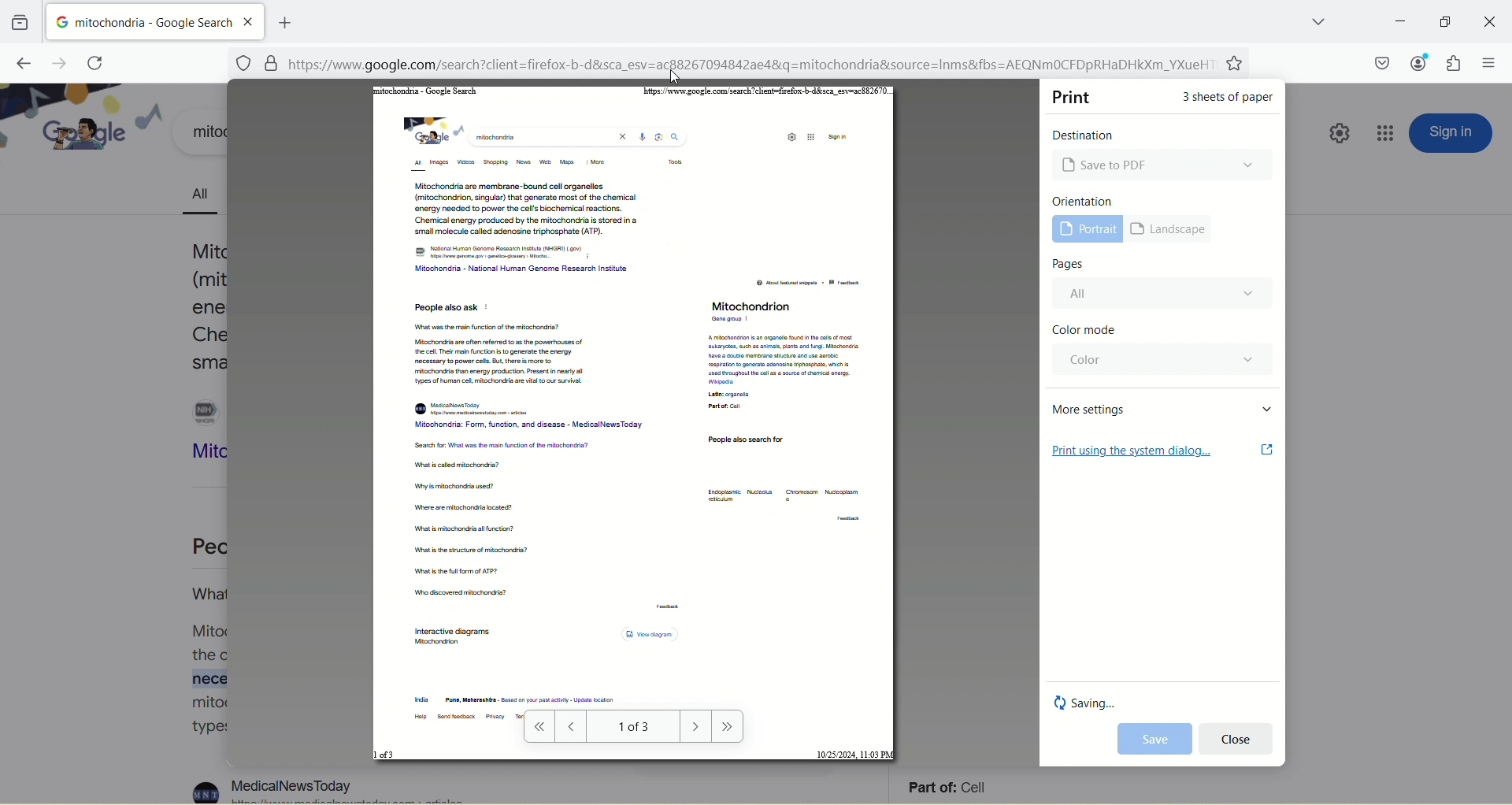  Describe the element at coordinates (1396, 21) in the screenshot. I see `minimize` at that location.